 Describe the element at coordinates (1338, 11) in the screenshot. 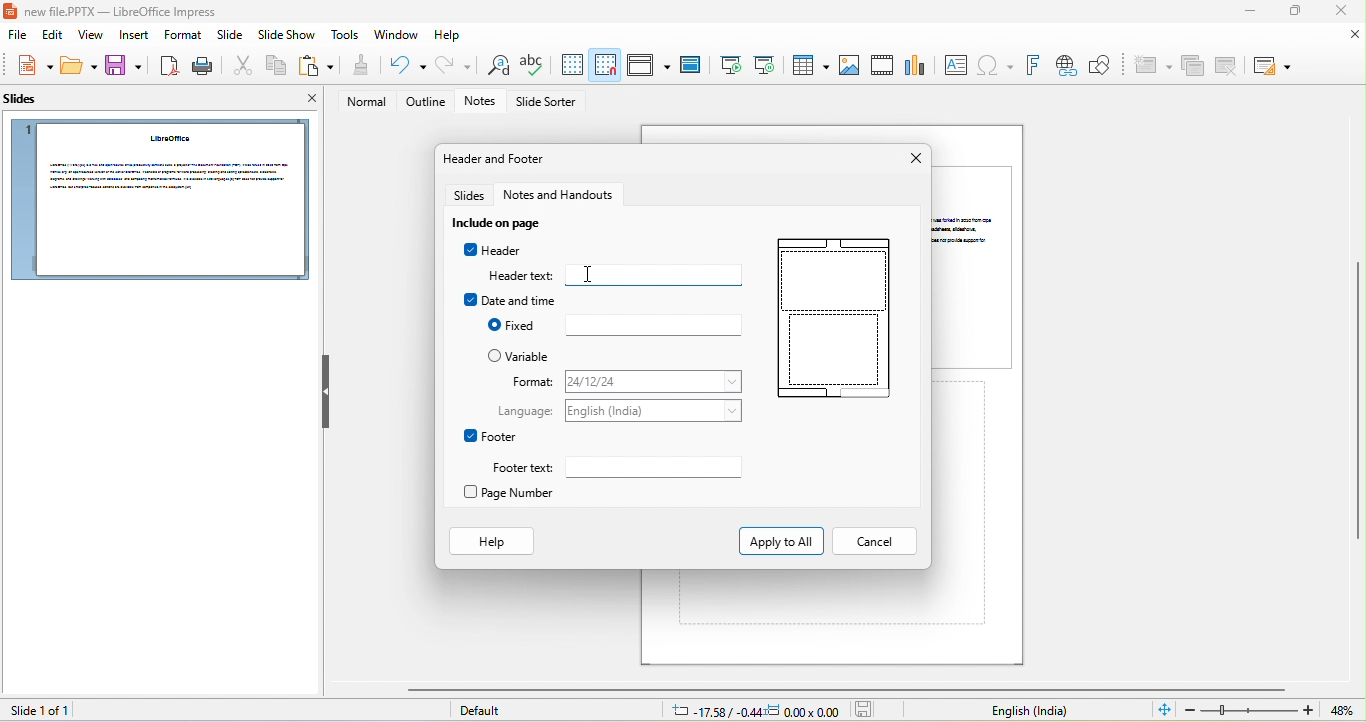

I see `close` at that location.